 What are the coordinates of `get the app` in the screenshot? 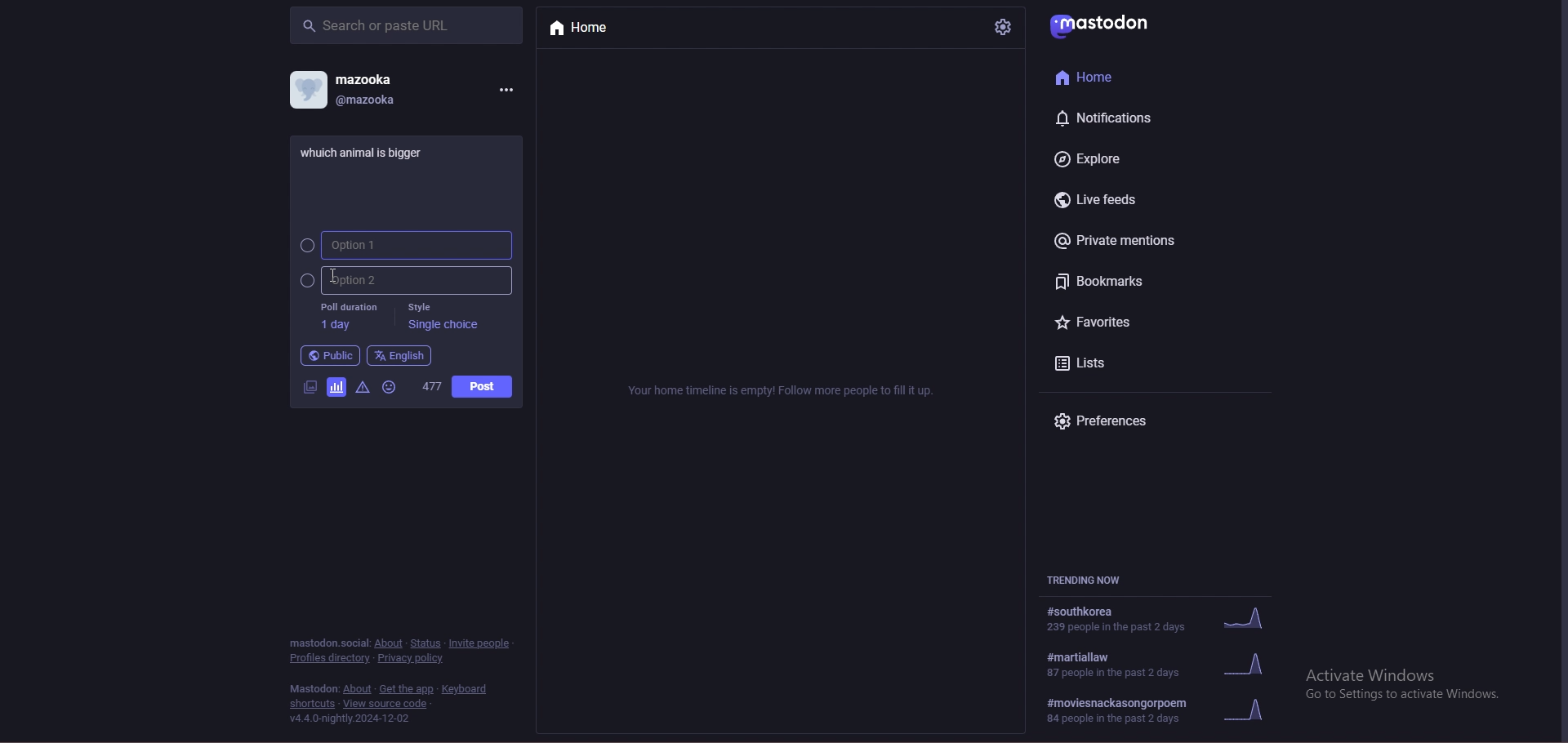 It's located at (406, 689).